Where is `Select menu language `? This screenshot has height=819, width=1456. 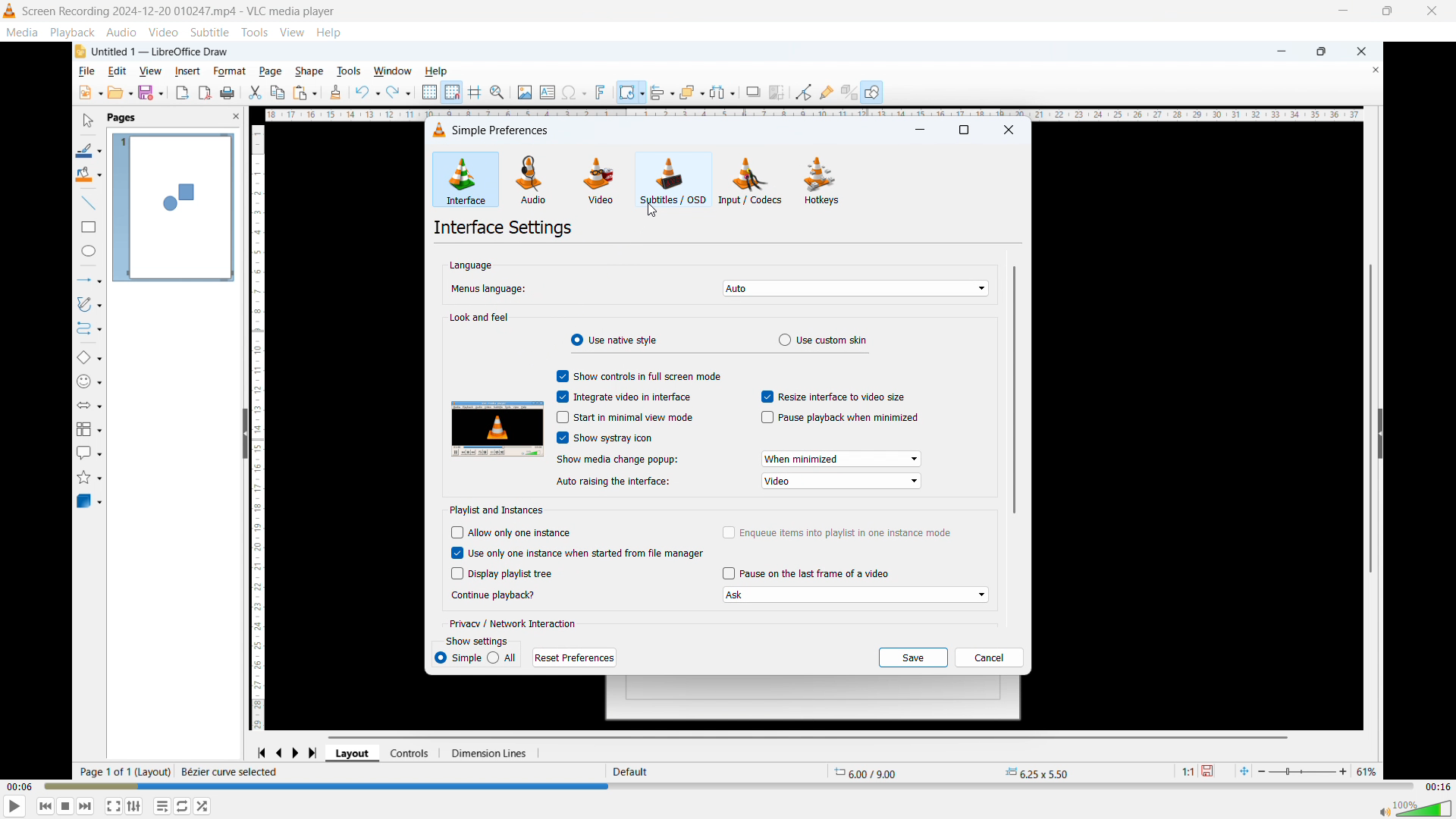 Select menu language  is located at coordinates (855, 288).